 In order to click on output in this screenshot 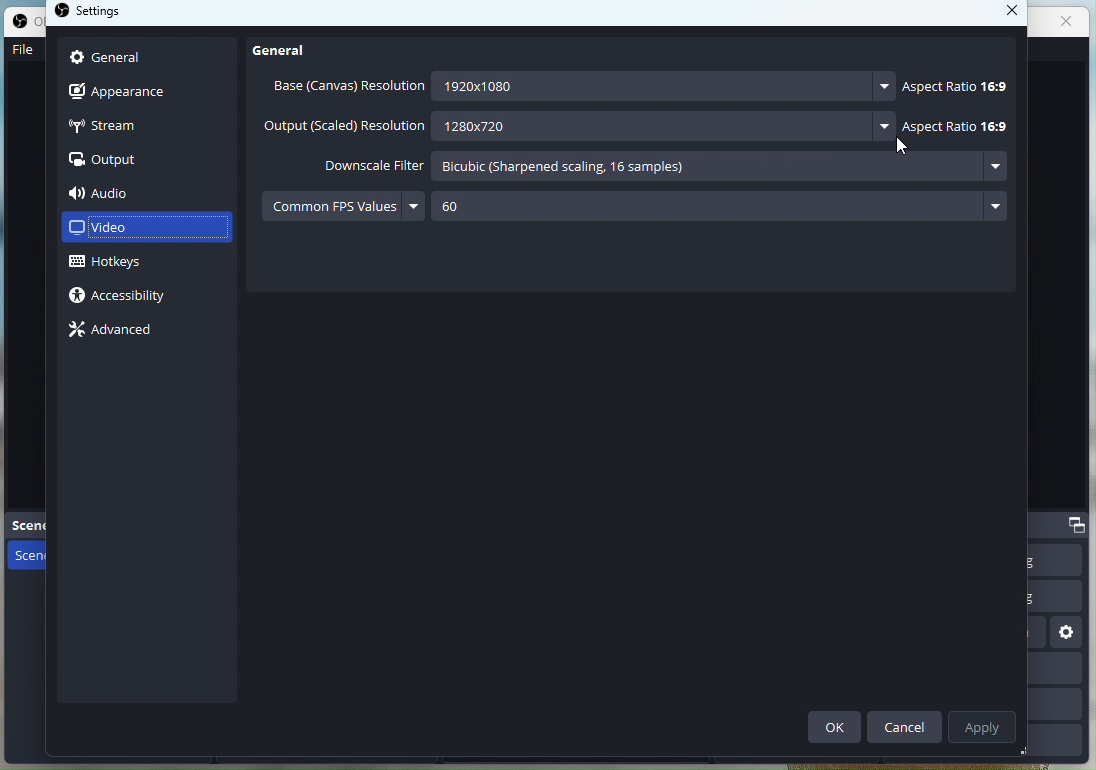, I will do `click(108, 161)`.